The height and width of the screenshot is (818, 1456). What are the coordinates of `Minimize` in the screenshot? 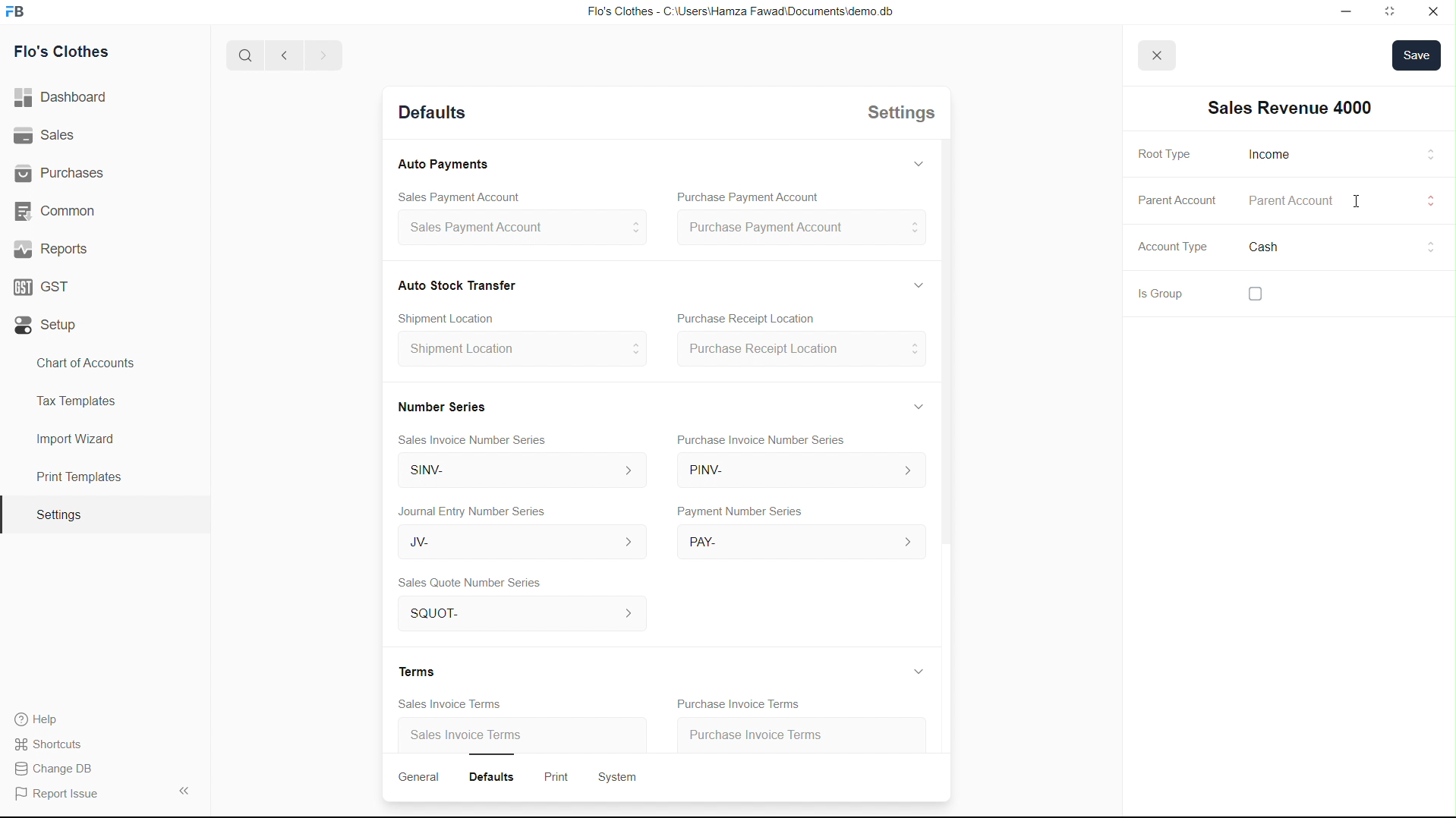 It's located at (1330, 11).